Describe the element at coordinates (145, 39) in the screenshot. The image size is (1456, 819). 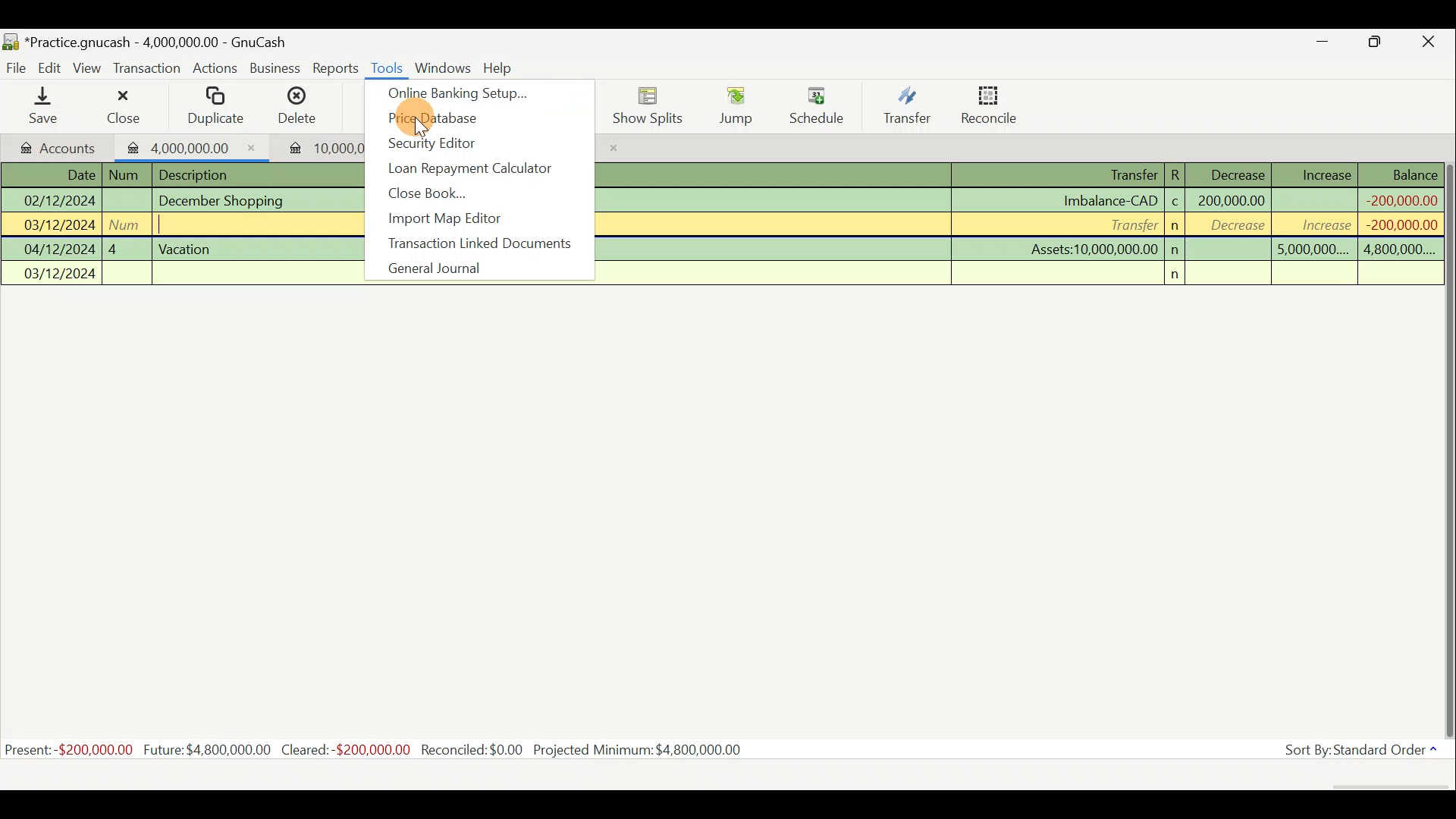
I see `Document name` at that location.